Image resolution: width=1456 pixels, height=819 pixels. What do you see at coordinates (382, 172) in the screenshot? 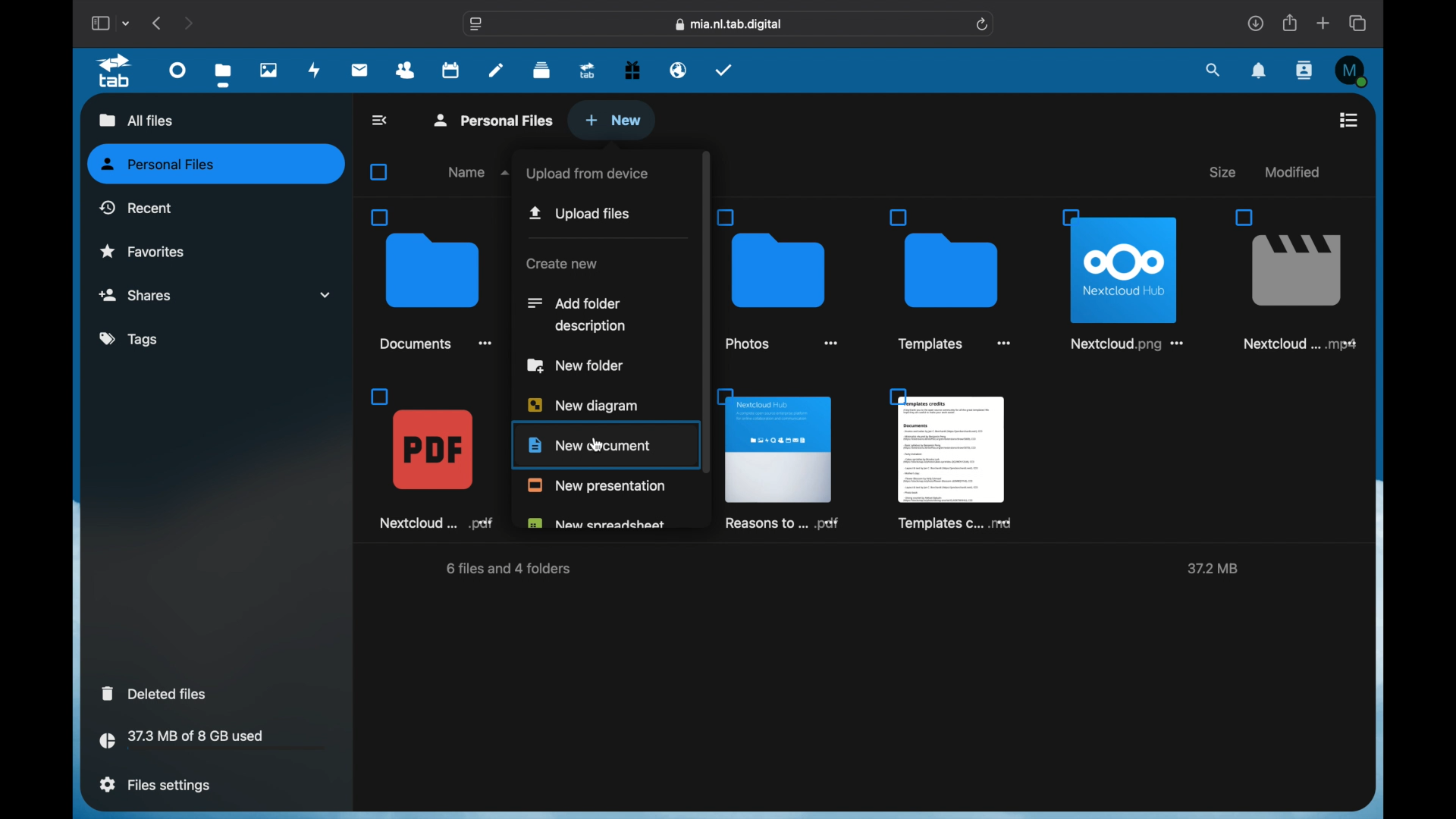
I see `checkbox` at bounding box center [382, 172].